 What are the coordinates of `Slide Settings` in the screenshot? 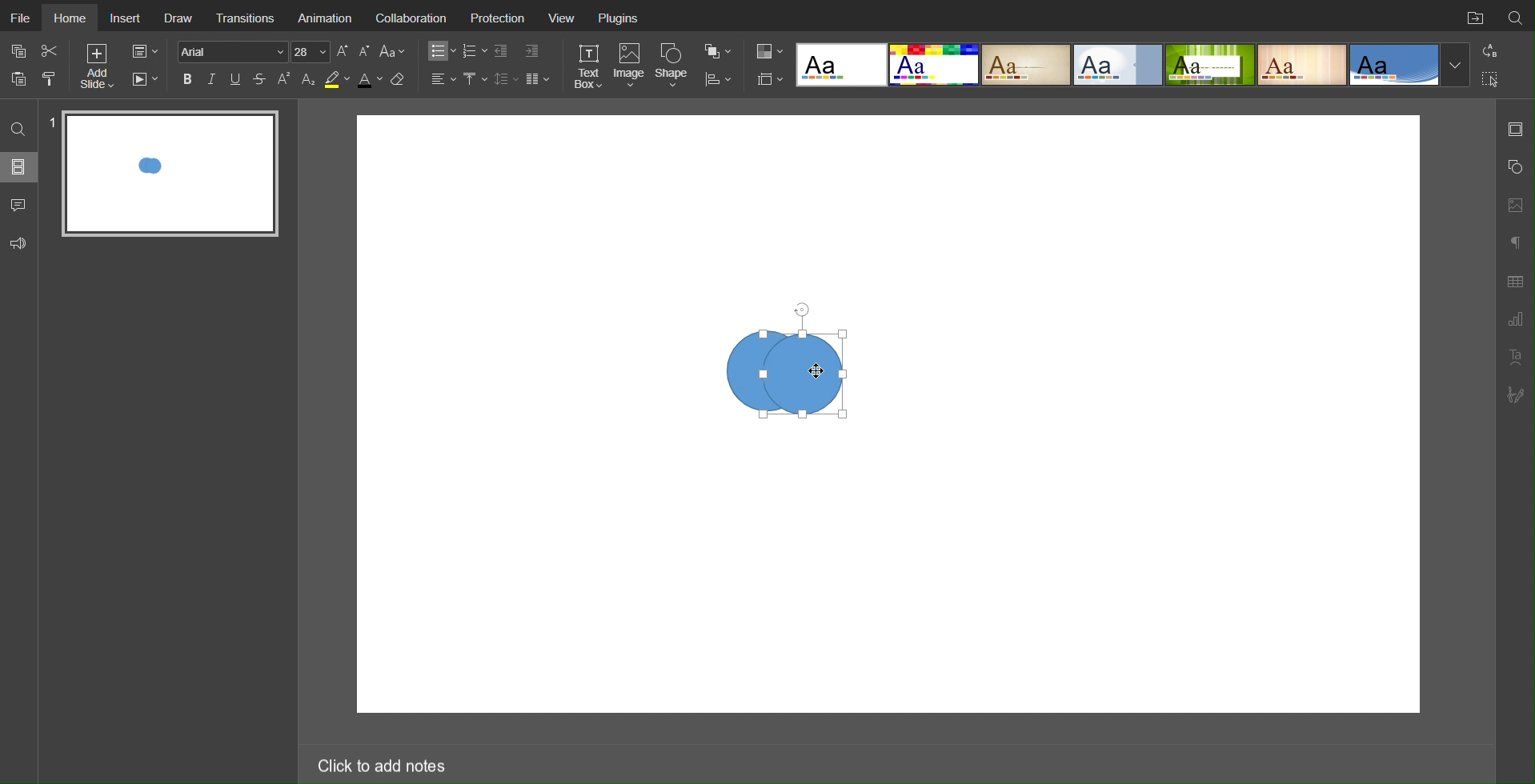 It's located at (1515, 129).